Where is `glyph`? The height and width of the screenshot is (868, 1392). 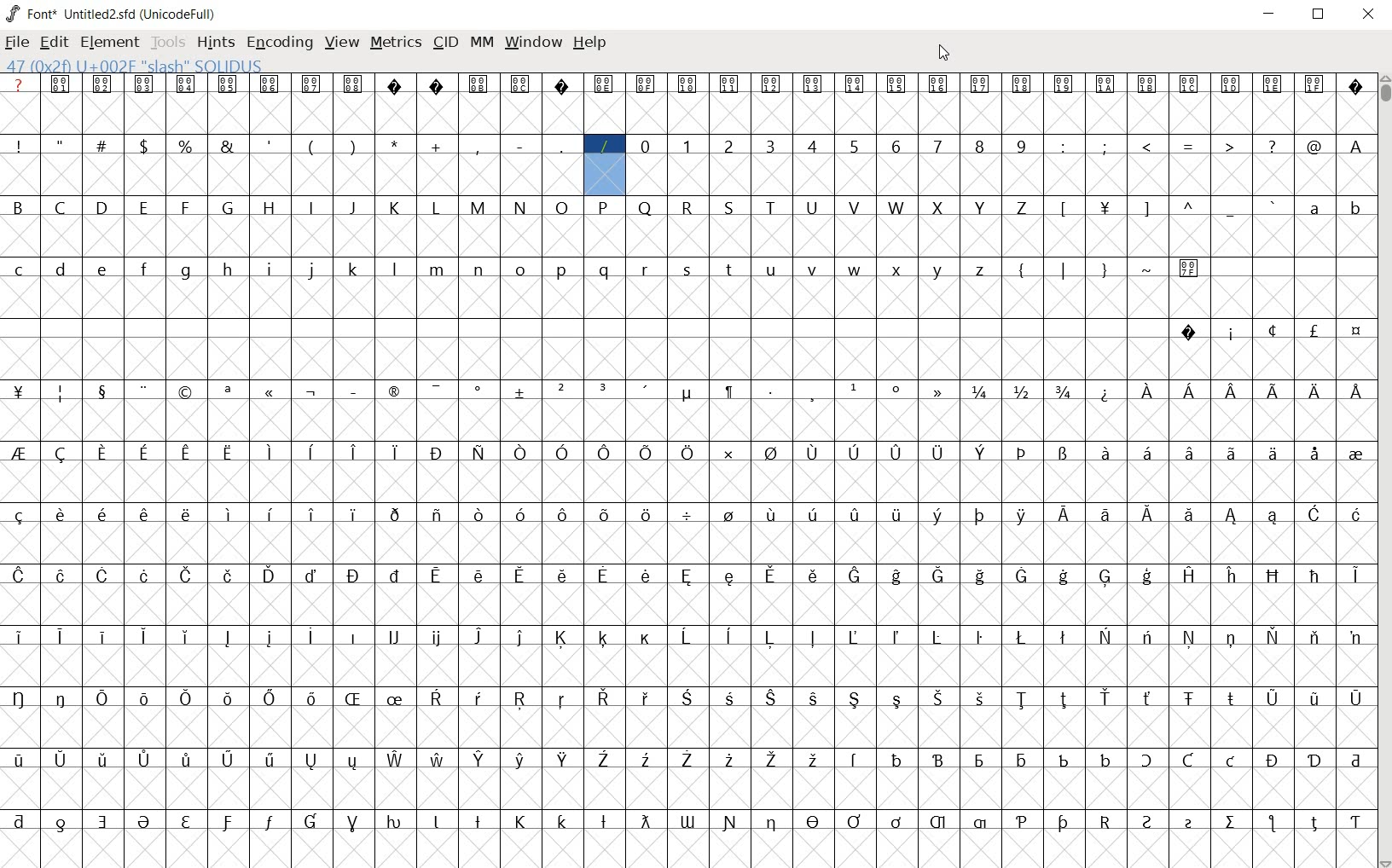 glyph is located at coordinates (394, 515).